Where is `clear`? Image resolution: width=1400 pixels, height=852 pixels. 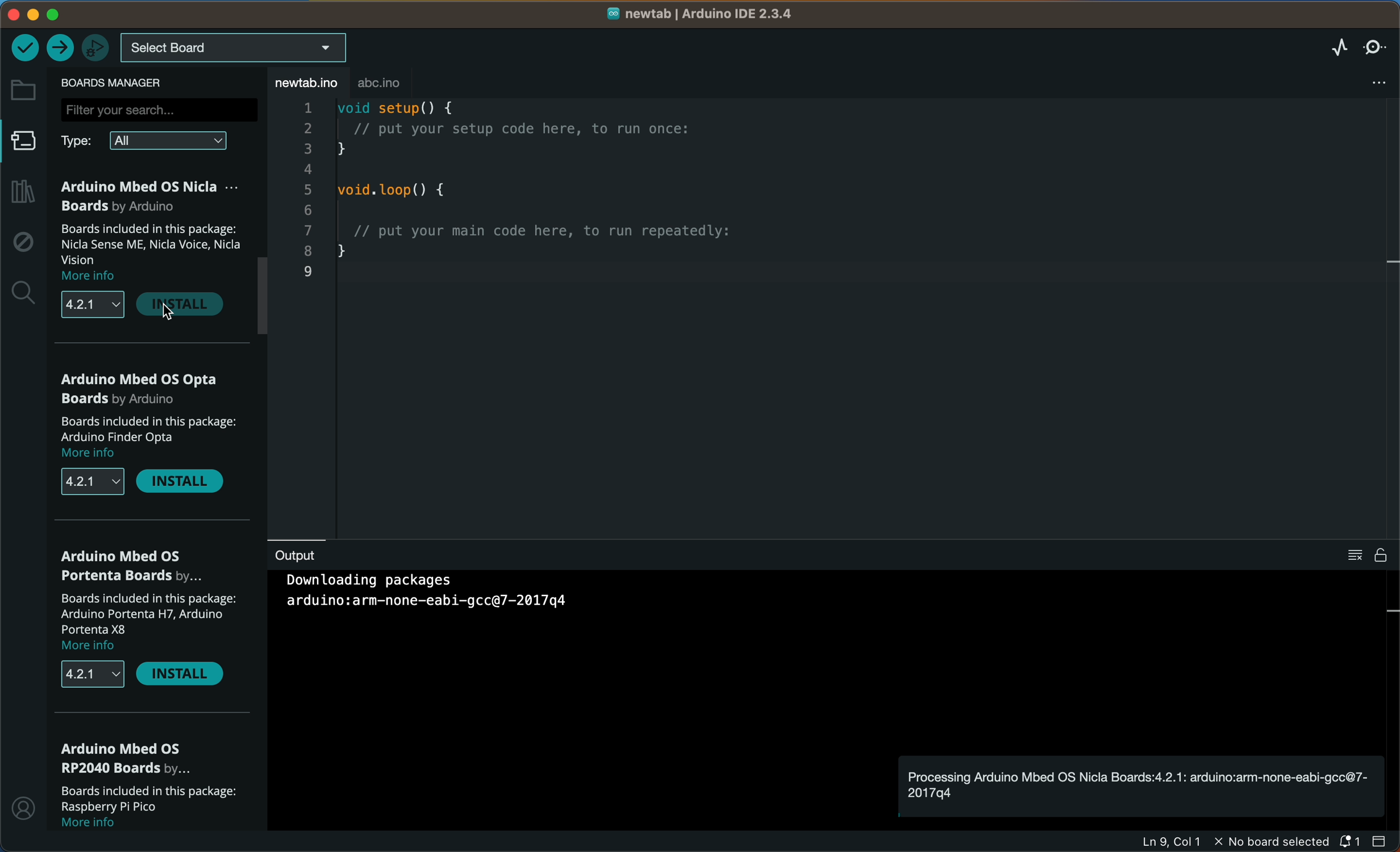 clear is located at coordinates (1353, 554).